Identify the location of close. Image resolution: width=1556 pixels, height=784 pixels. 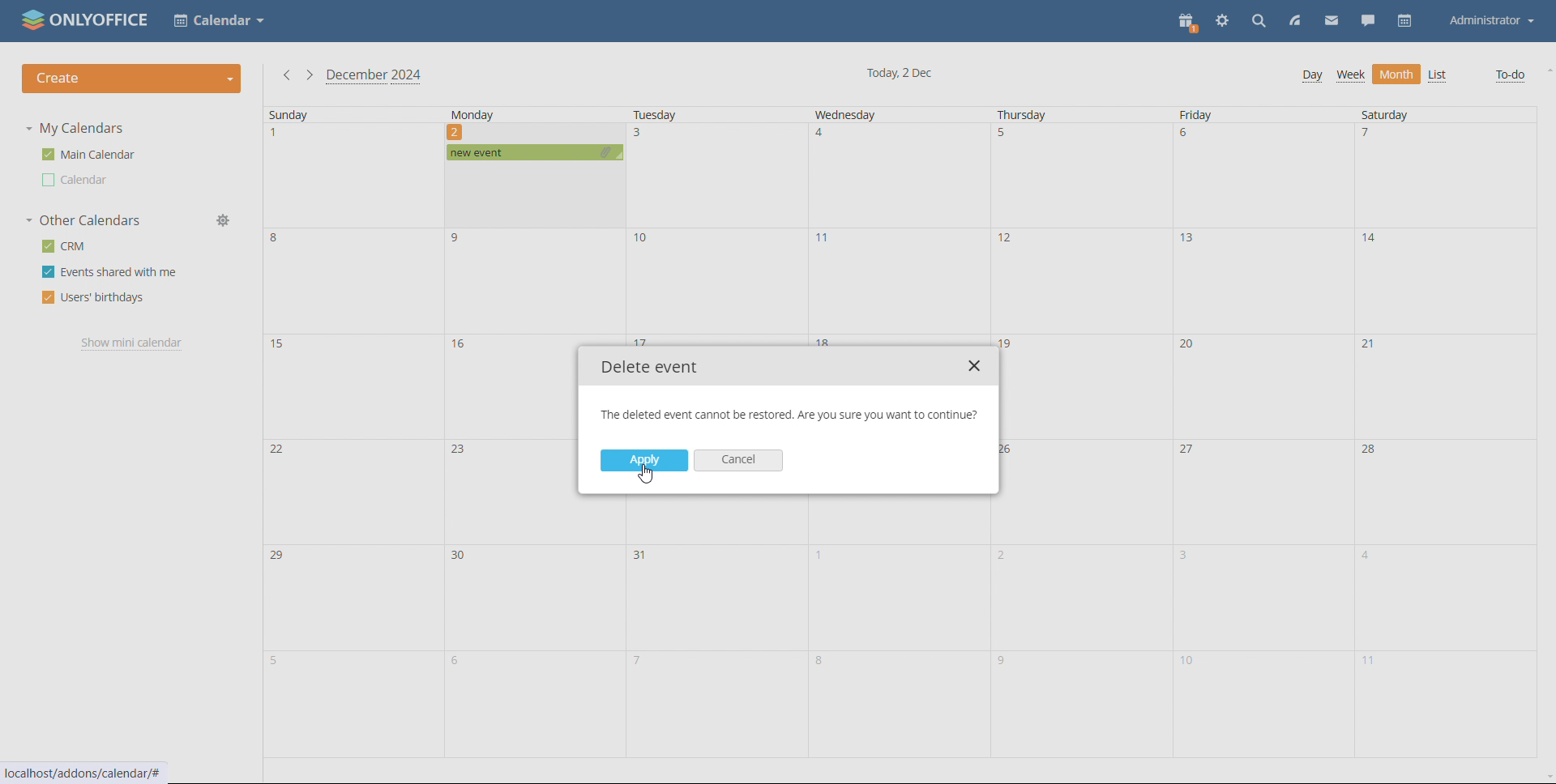
(975, 366).